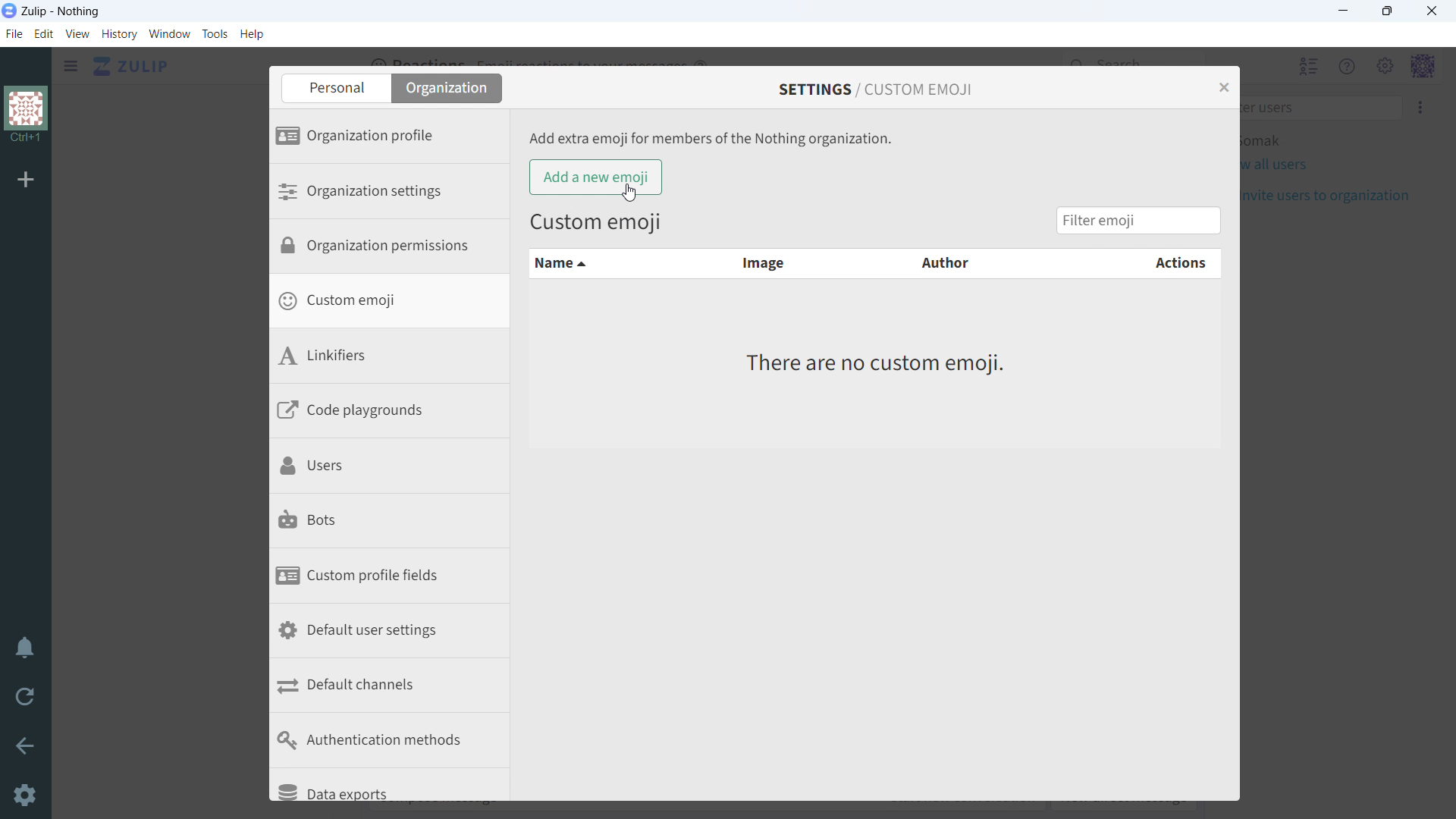 Image resolution: width=1456 pixels, height=819 pixels. I want to click on filter users, so click(1323, 108).